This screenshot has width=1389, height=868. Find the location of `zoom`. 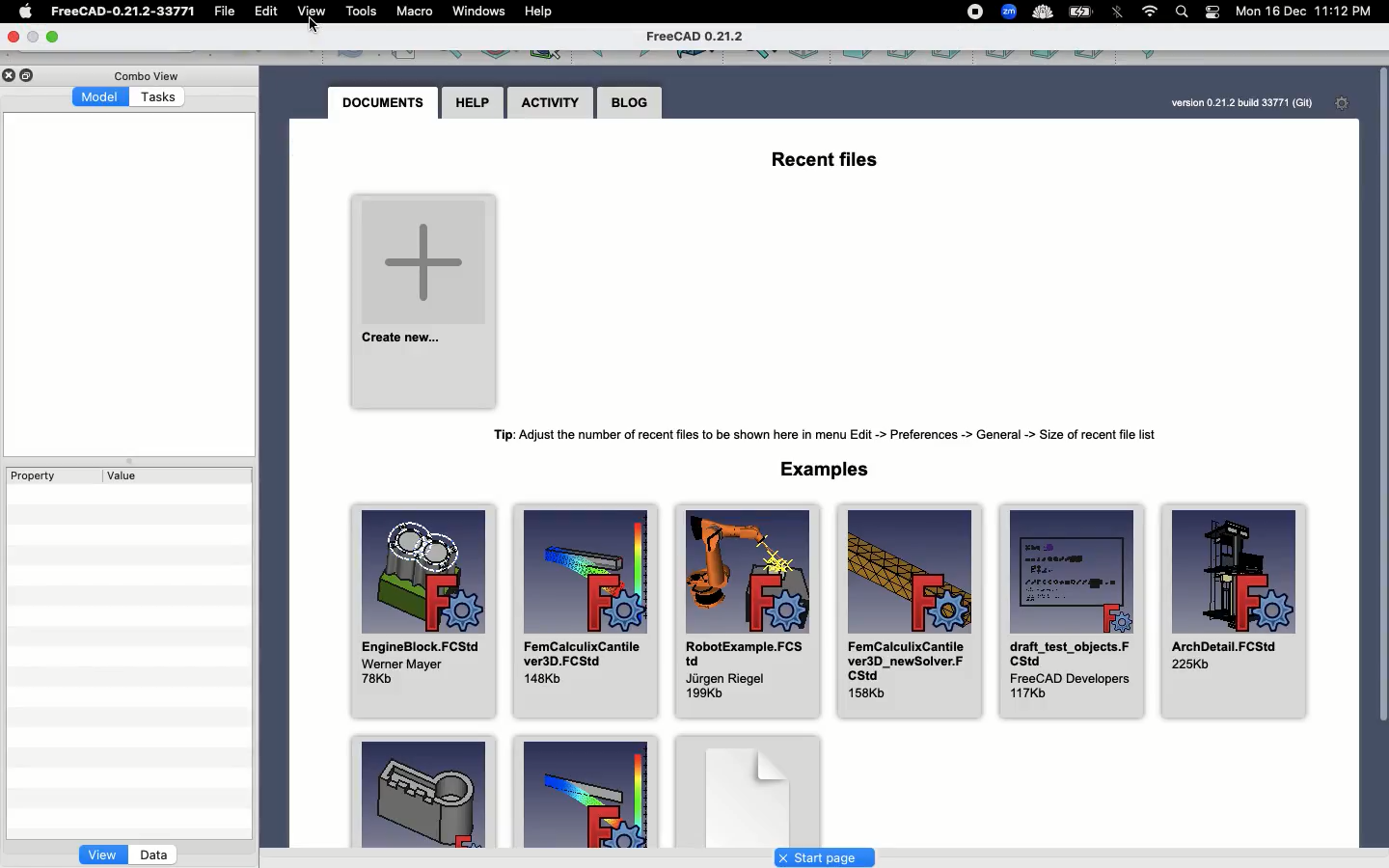

zoom is located at coordinates (1009, 12).